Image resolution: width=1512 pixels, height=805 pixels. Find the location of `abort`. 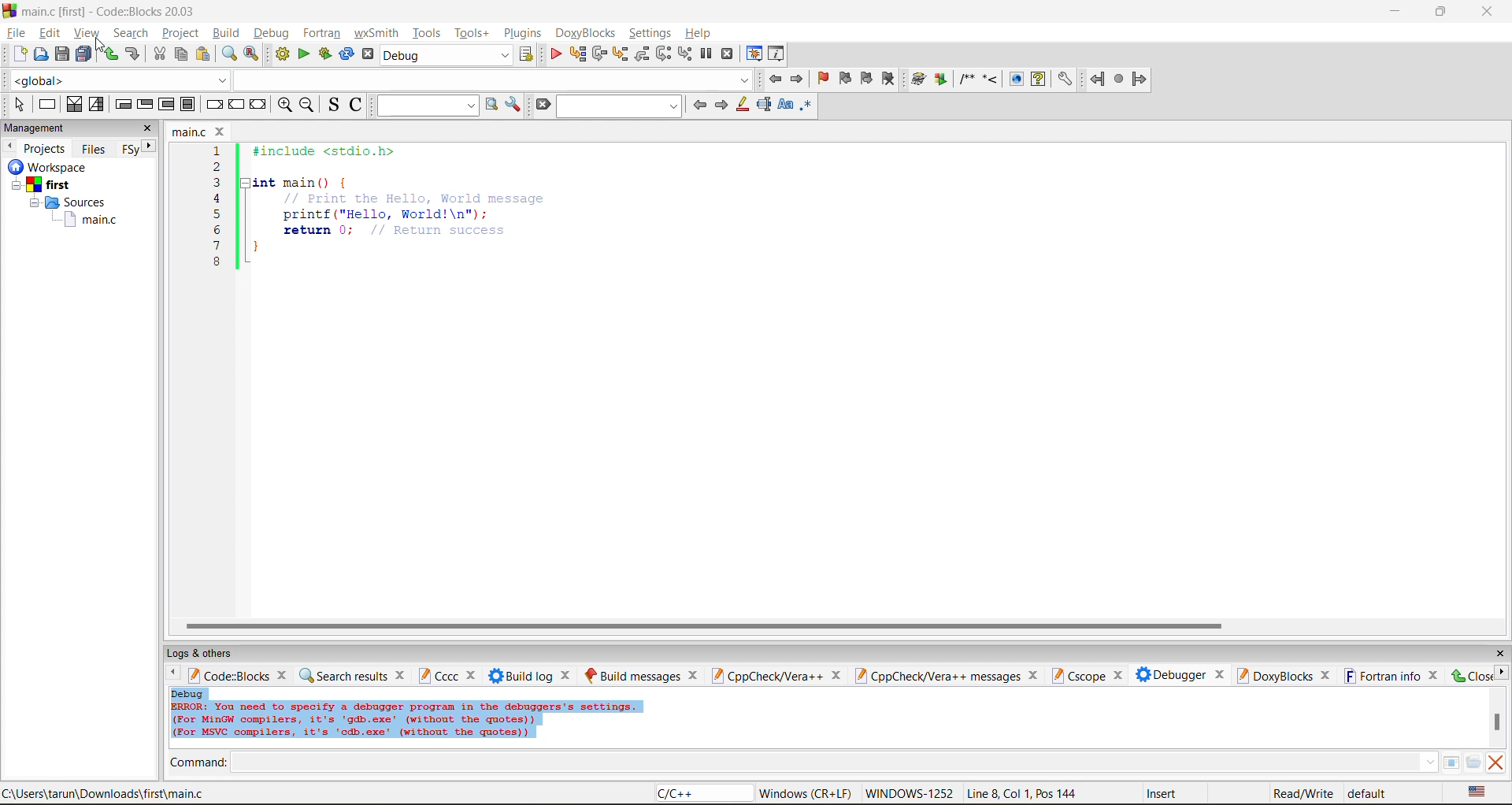

abort is located at coordinates (369, 56).